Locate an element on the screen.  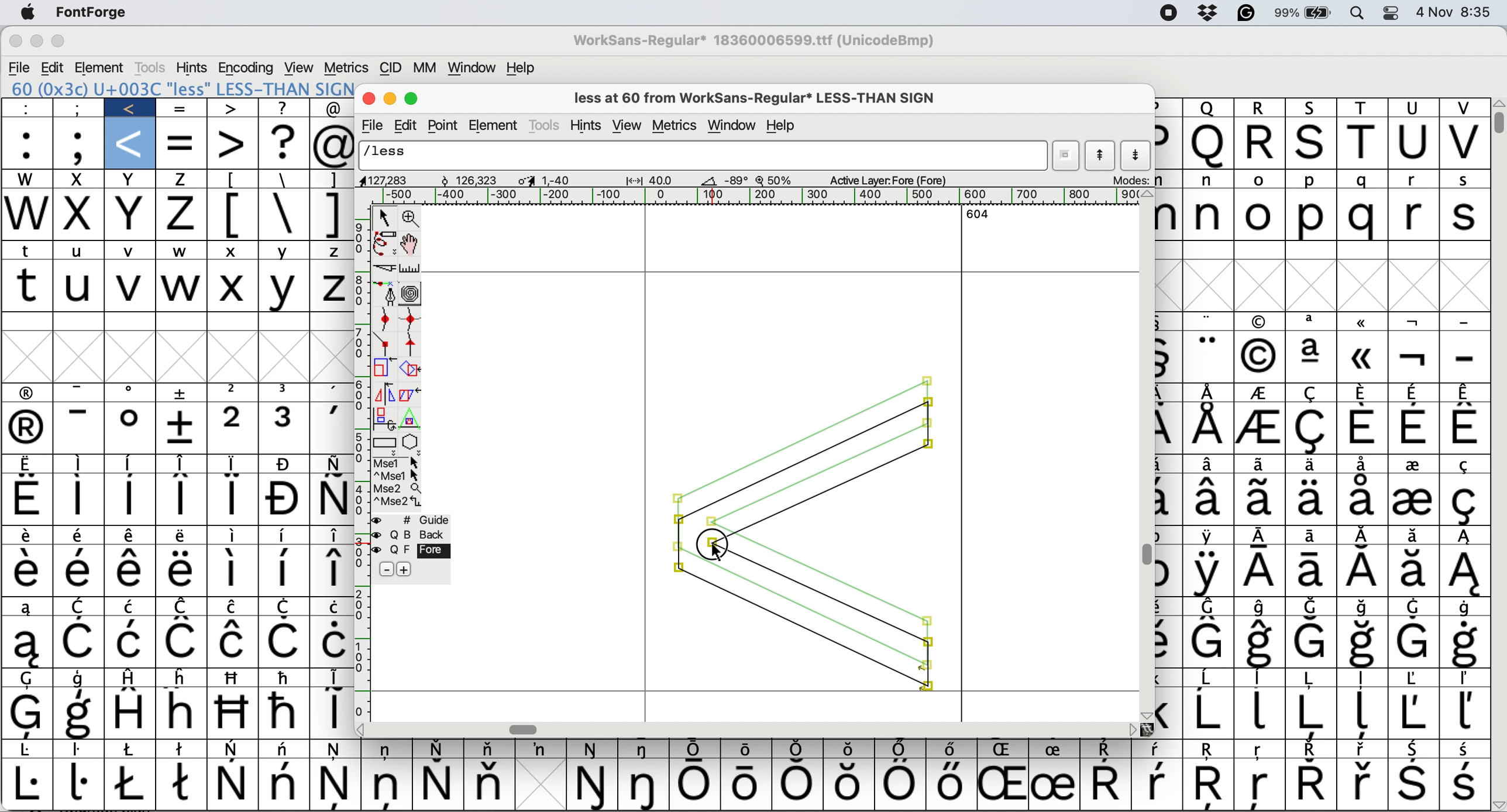
Symbol is located at coordinates (1465, 784).